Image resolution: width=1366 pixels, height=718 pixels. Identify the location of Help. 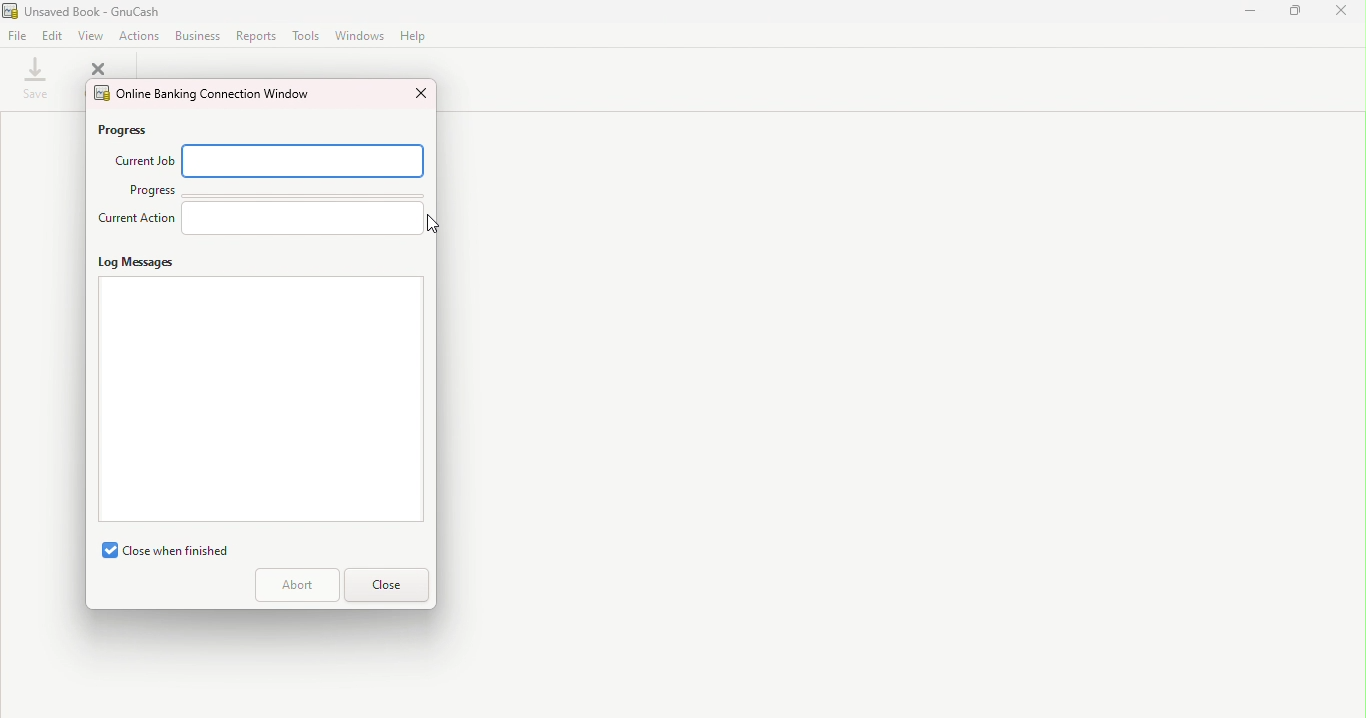
(414, 37).